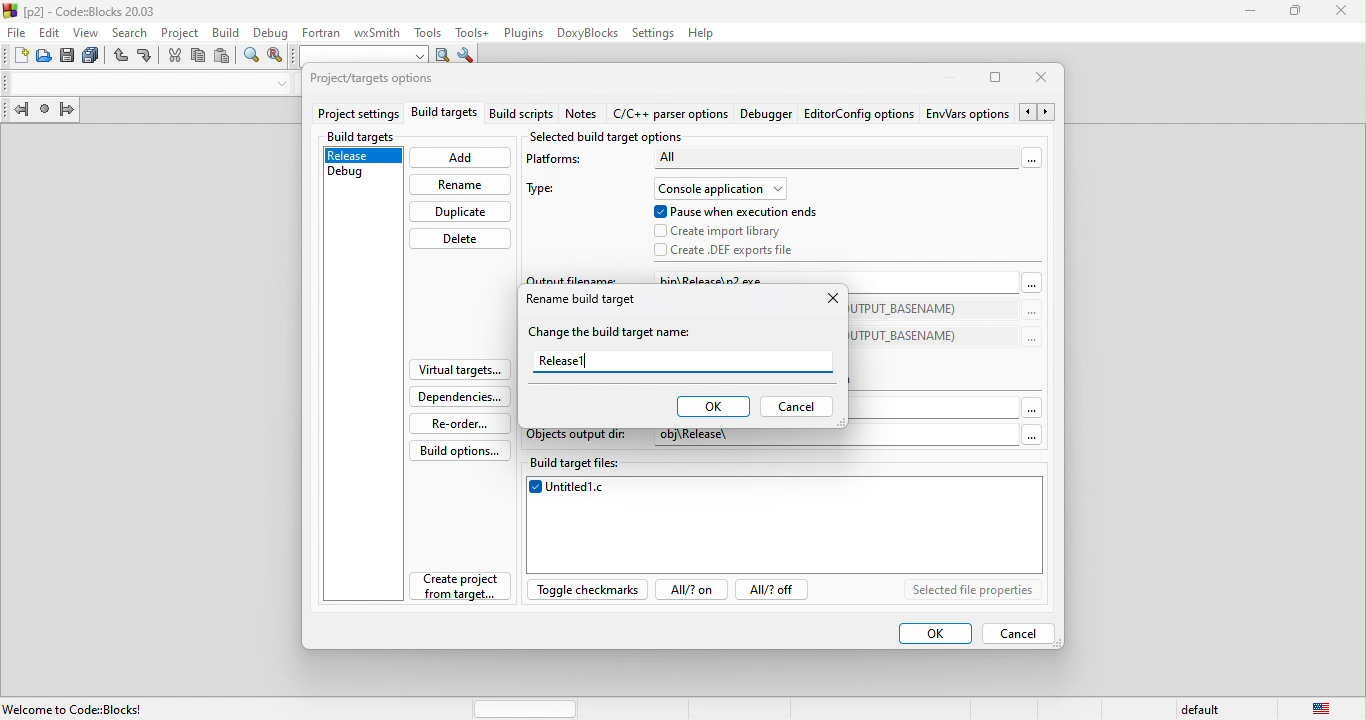  Describe the element at coordinates (745, 279) in the screenshot. I see `bin\Release\p2.exe` at that location.